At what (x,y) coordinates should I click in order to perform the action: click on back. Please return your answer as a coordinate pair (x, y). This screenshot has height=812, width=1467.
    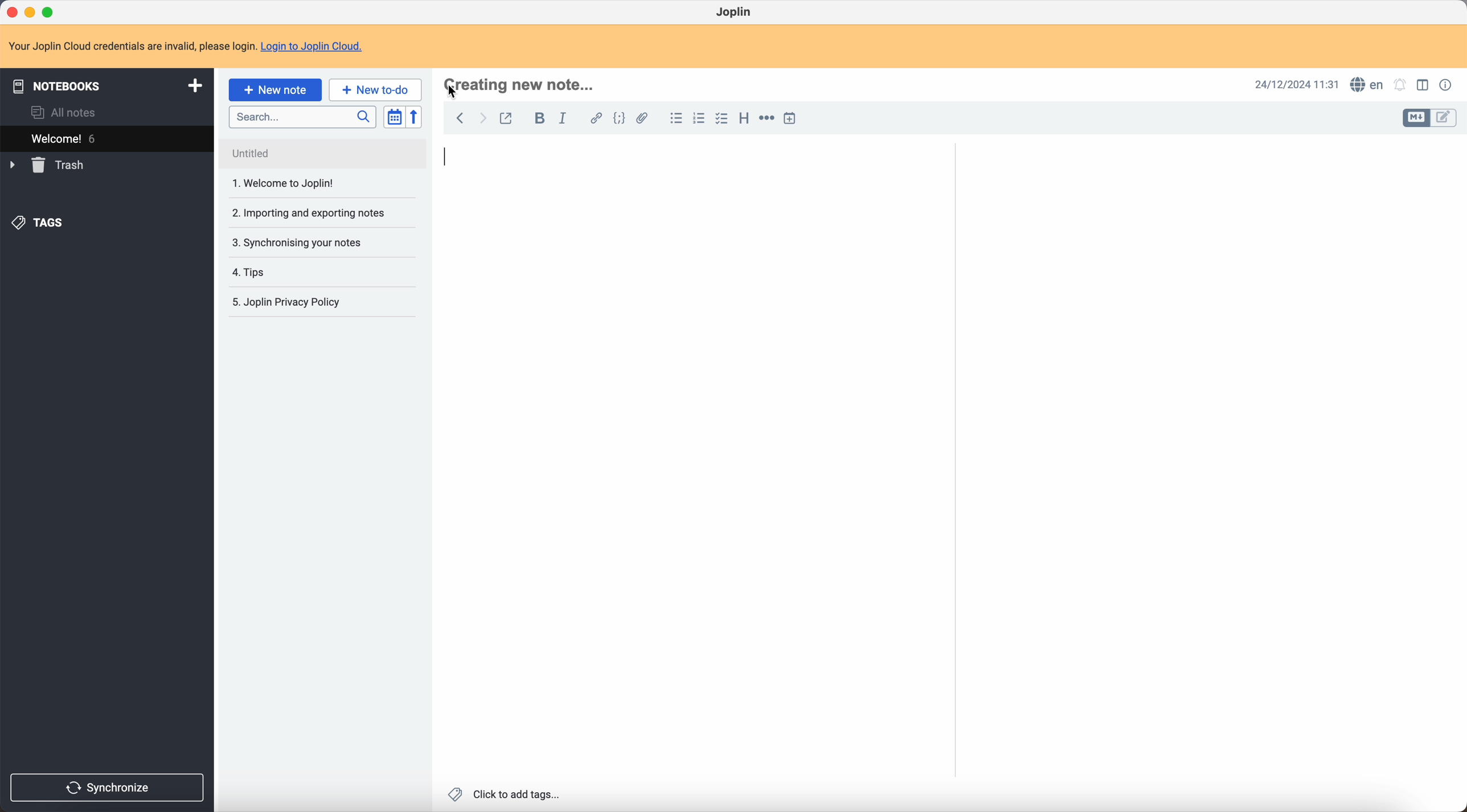
    Looking at the image, I should click on (460, 117).